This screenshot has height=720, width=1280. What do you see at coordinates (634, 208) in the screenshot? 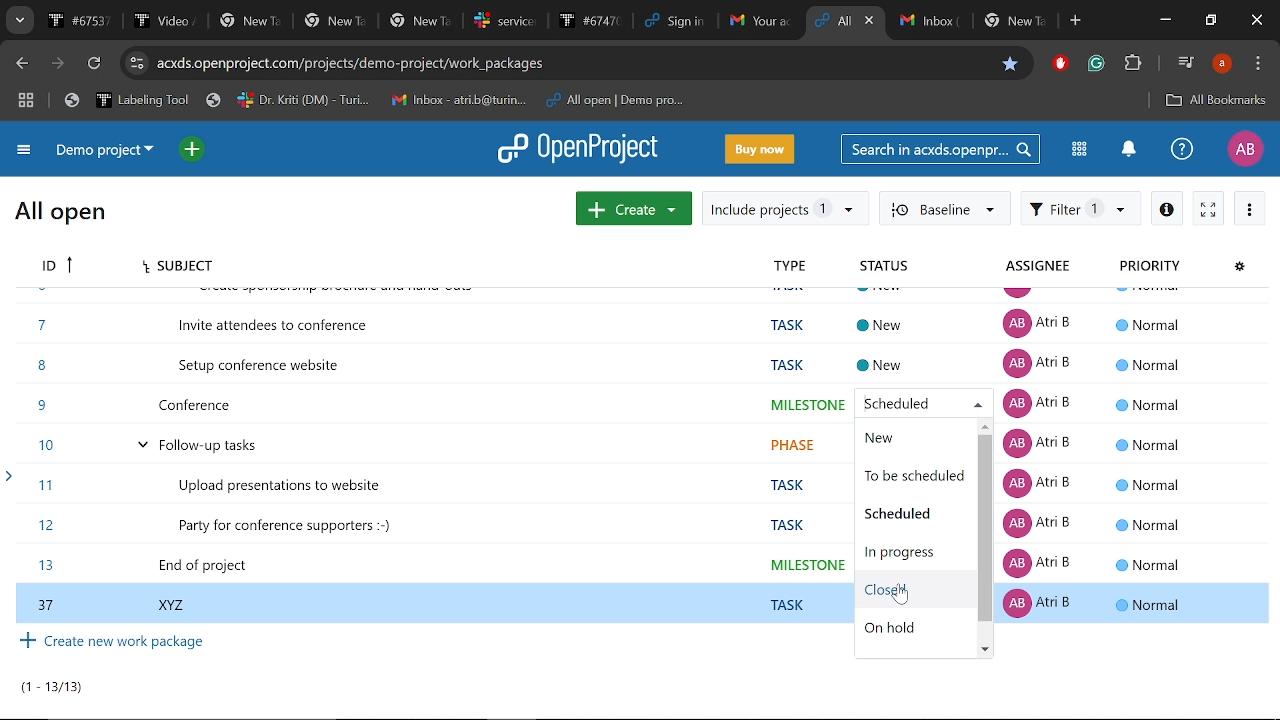
I see `Create` at bounding box center [634, 208].